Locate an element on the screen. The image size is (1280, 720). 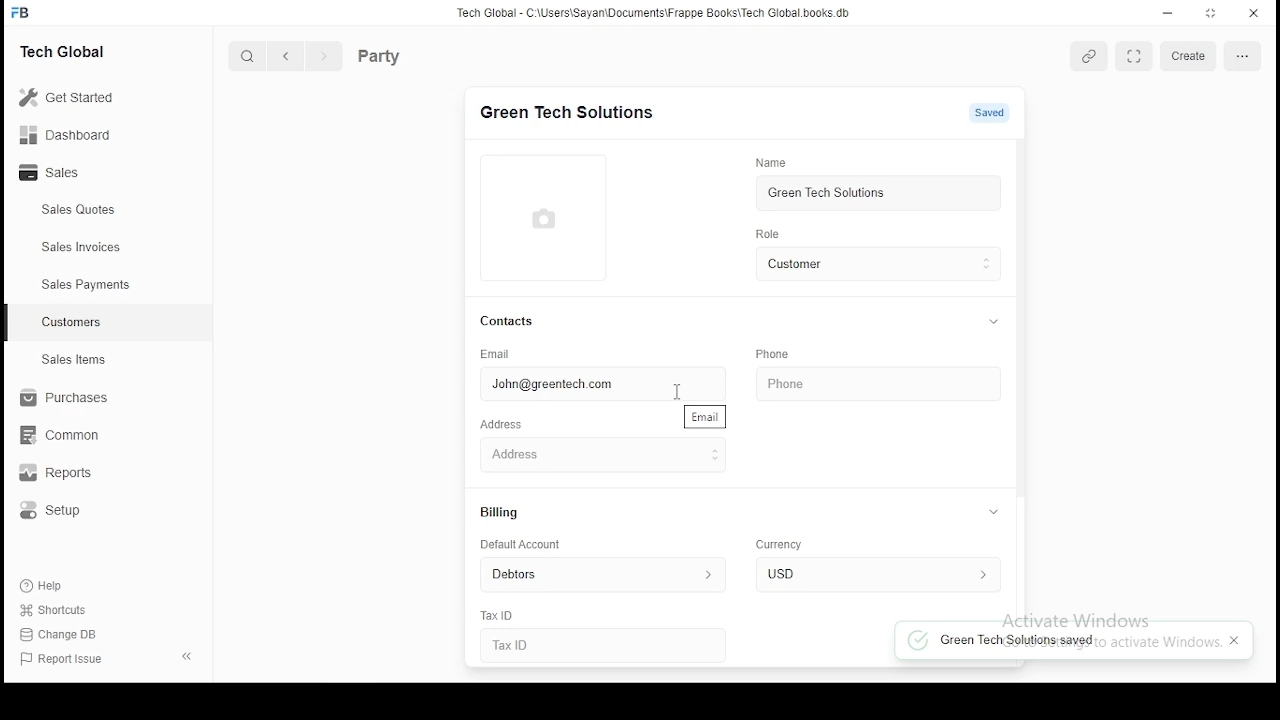
green tech solutions is located at coordinates (565, 112).